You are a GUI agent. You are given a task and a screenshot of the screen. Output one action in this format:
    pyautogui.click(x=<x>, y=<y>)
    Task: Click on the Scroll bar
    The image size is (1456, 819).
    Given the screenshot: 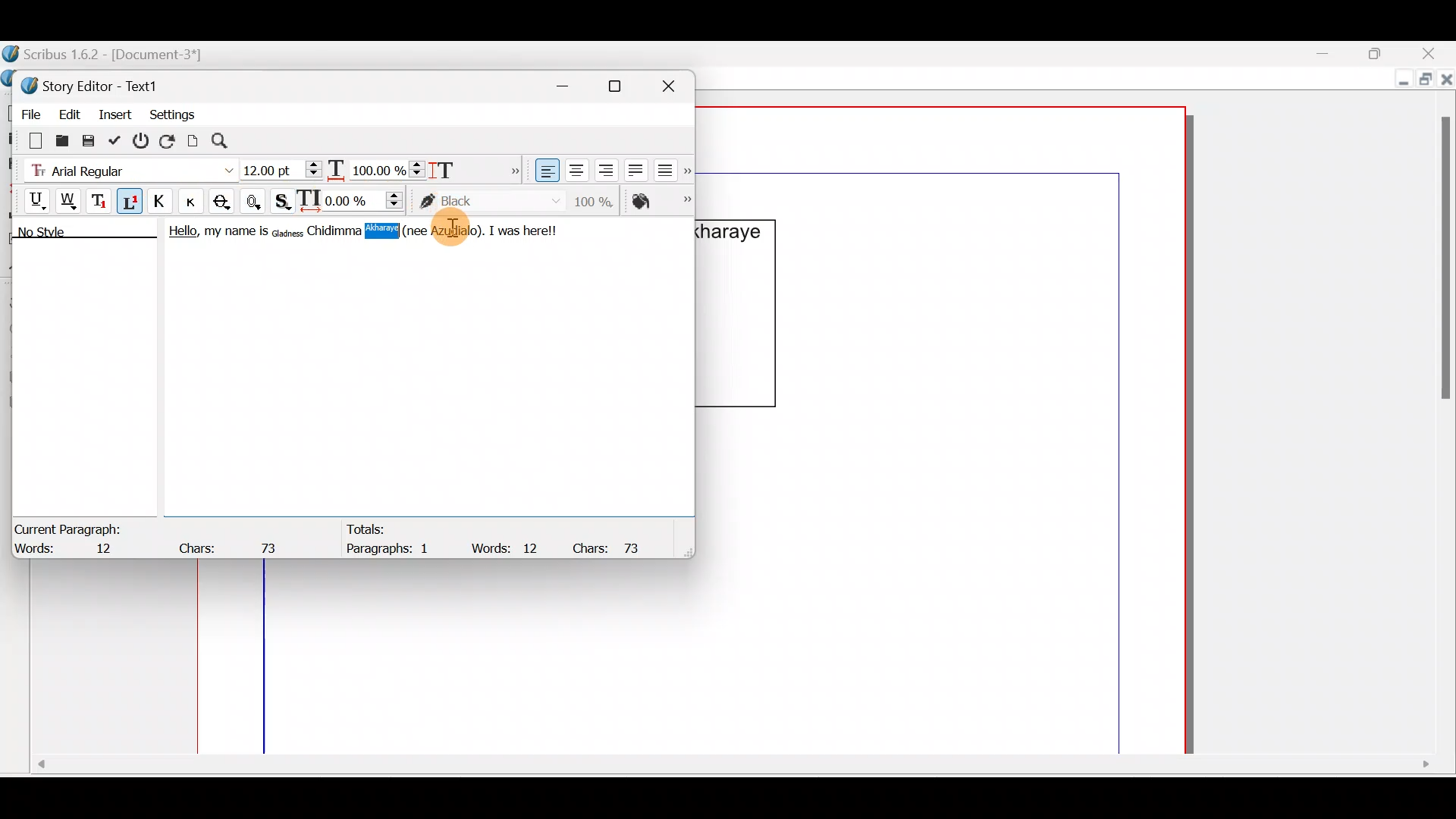 What is the action you would take?
    pyautogui.click(x=730, y=770)
    